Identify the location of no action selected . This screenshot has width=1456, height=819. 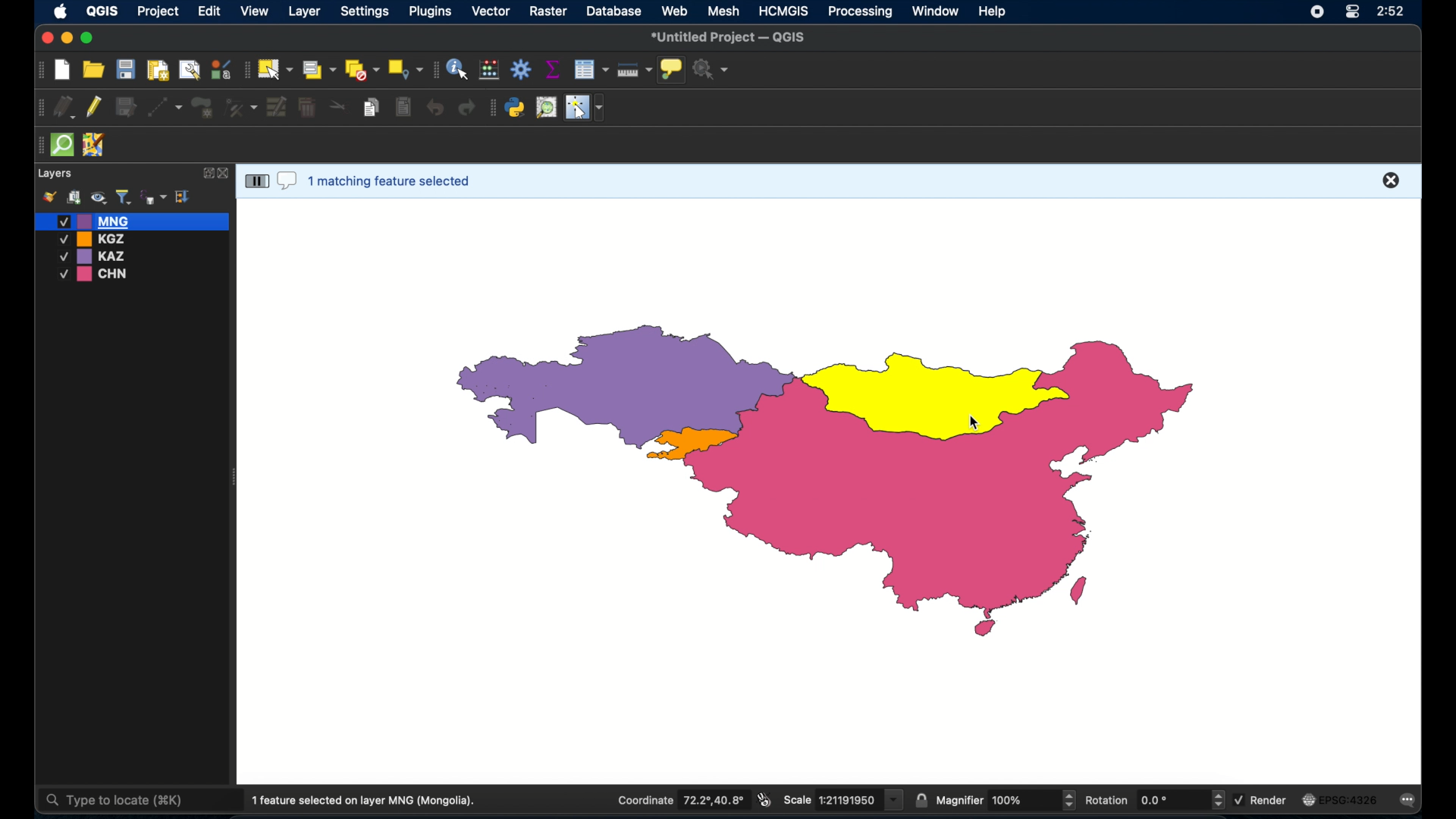
(712, 69).